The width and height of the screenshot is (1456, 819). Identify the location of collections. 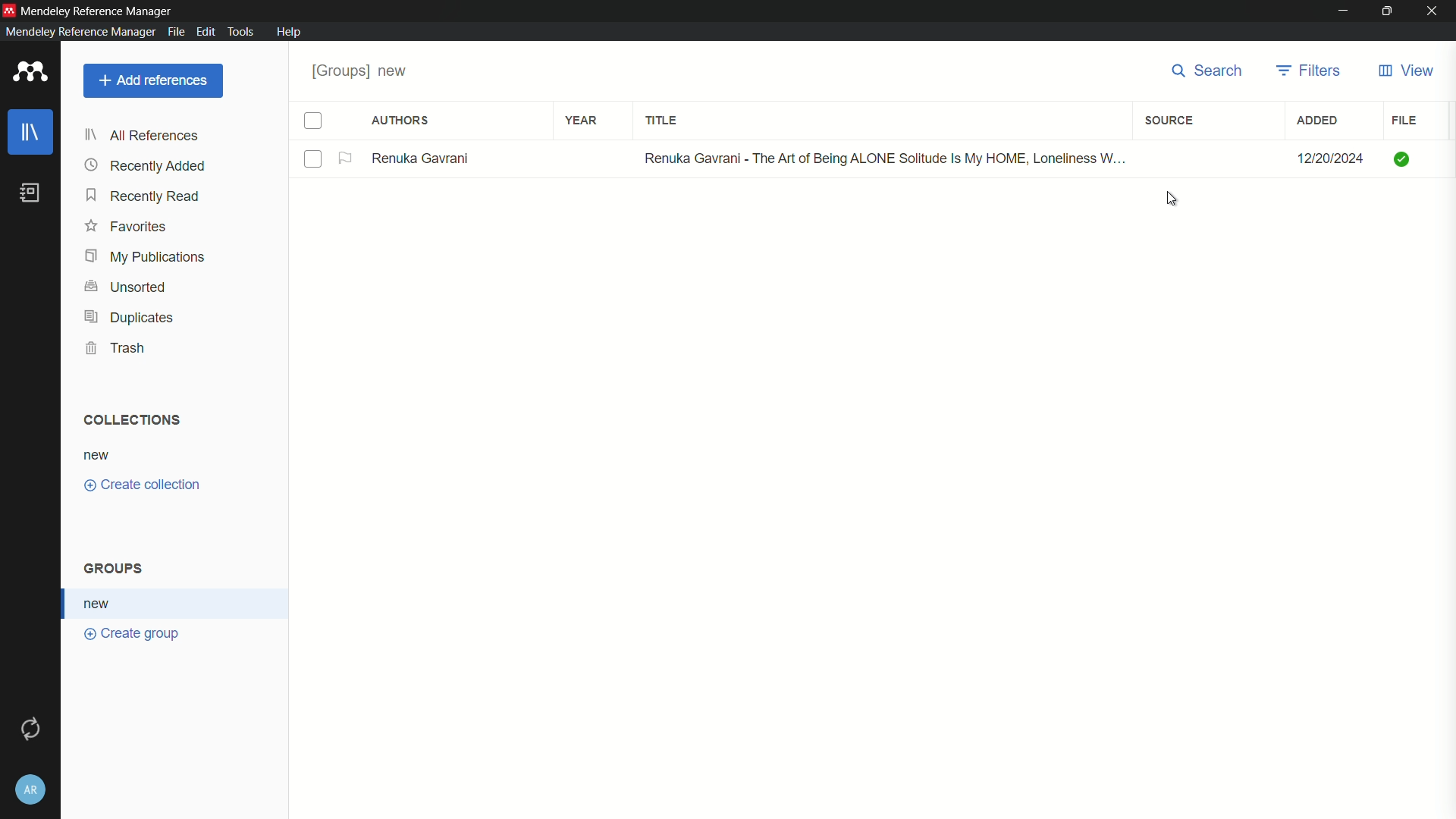
(133, 420).